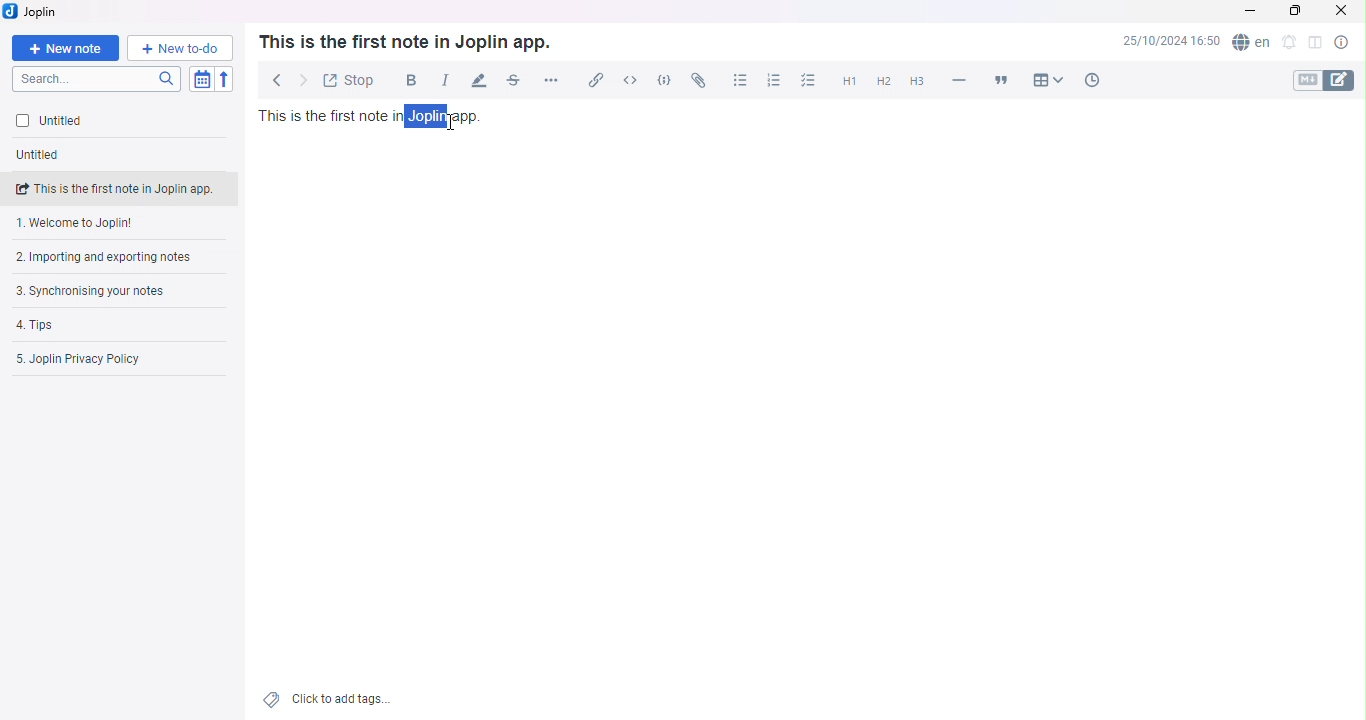 The image size is (1366, 720). Describe the element at coordinates (1088, 79) in the screenshot. I see `Insert time` at that location.